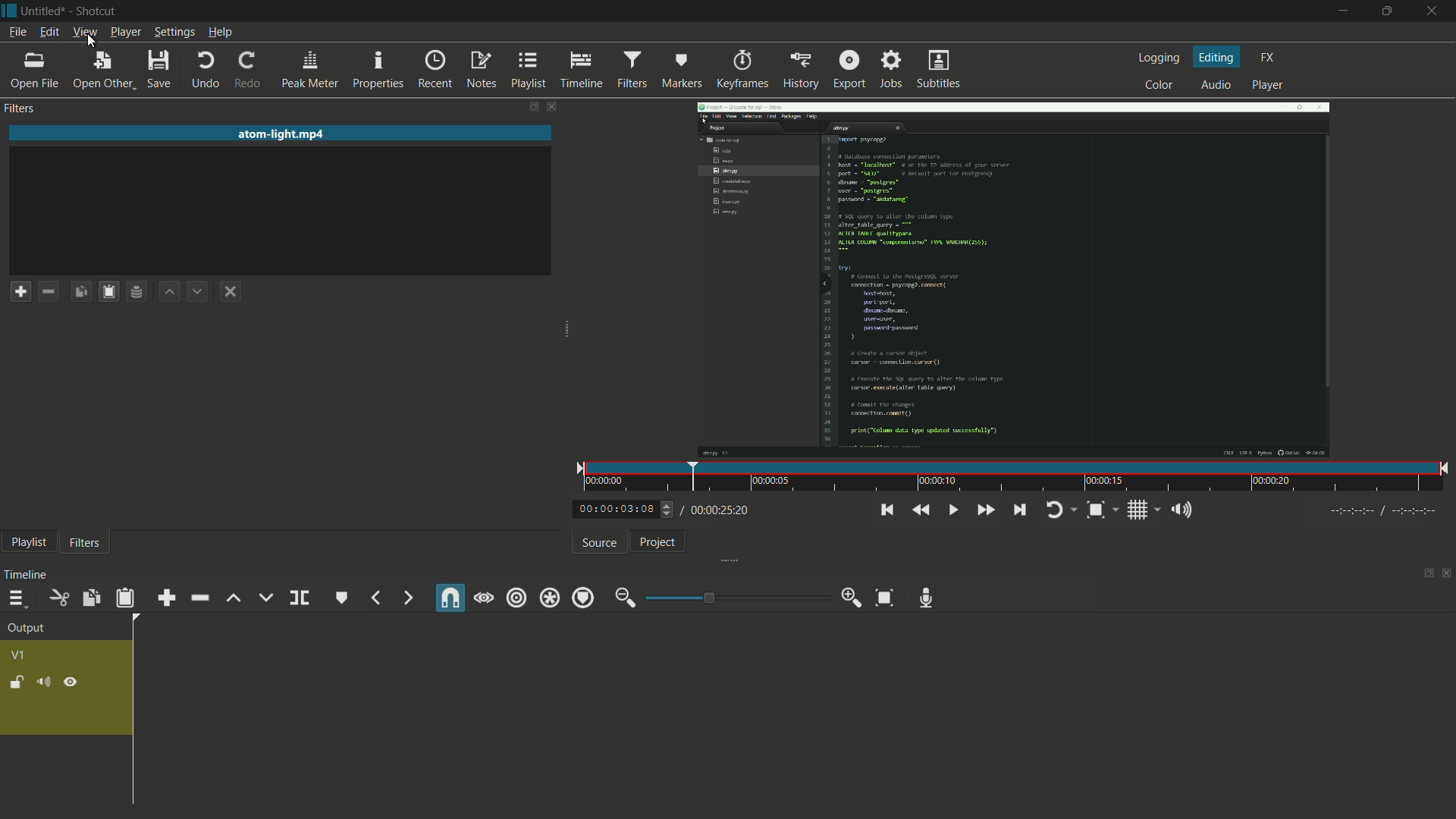 This screenshot has height=819, width=1456. What do you see at coordinates (929, 598) in the screenshot?
I see `record audio` at bounding box center [929, 598].